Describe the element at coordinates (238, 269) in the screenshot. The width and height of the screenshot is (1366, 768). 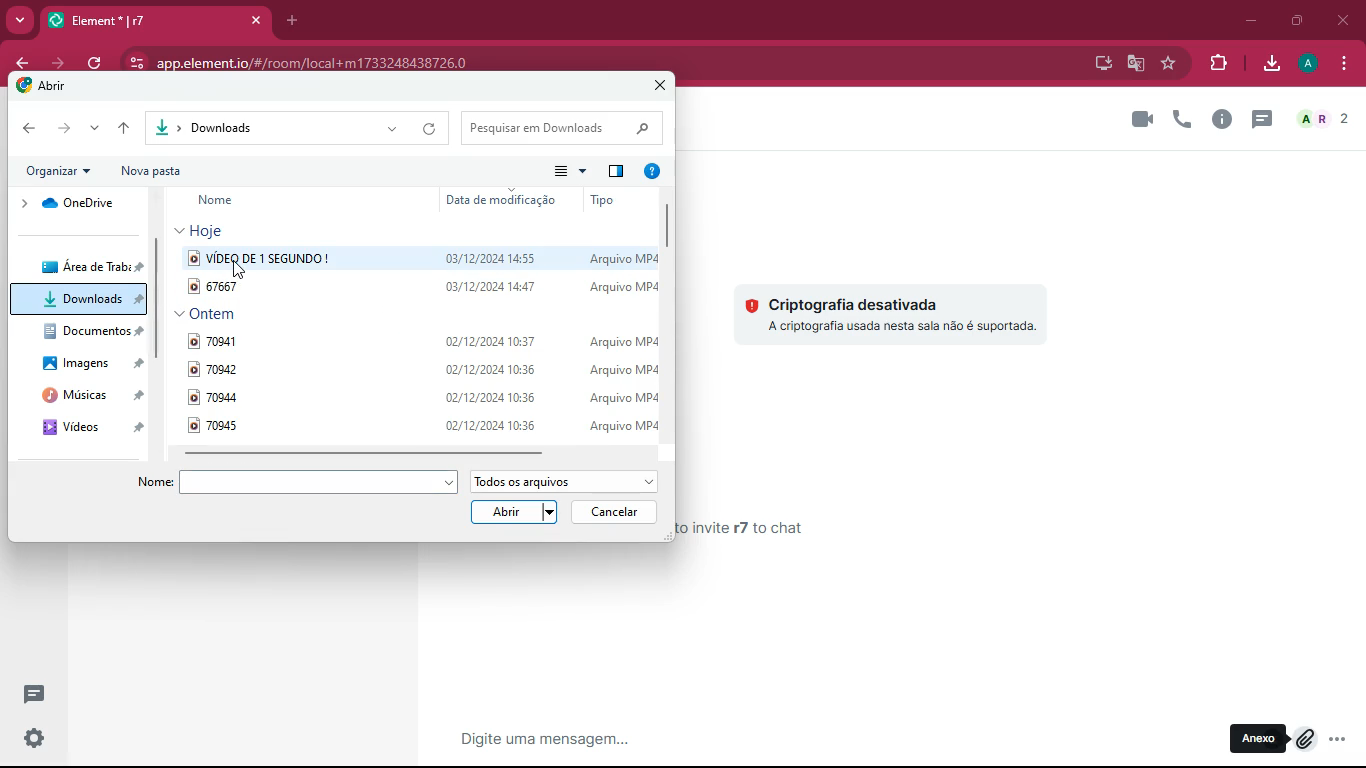
I see `cursor on video  d 1 segundo! 03/12/2024 14:55 arquivo mp4` at that location.